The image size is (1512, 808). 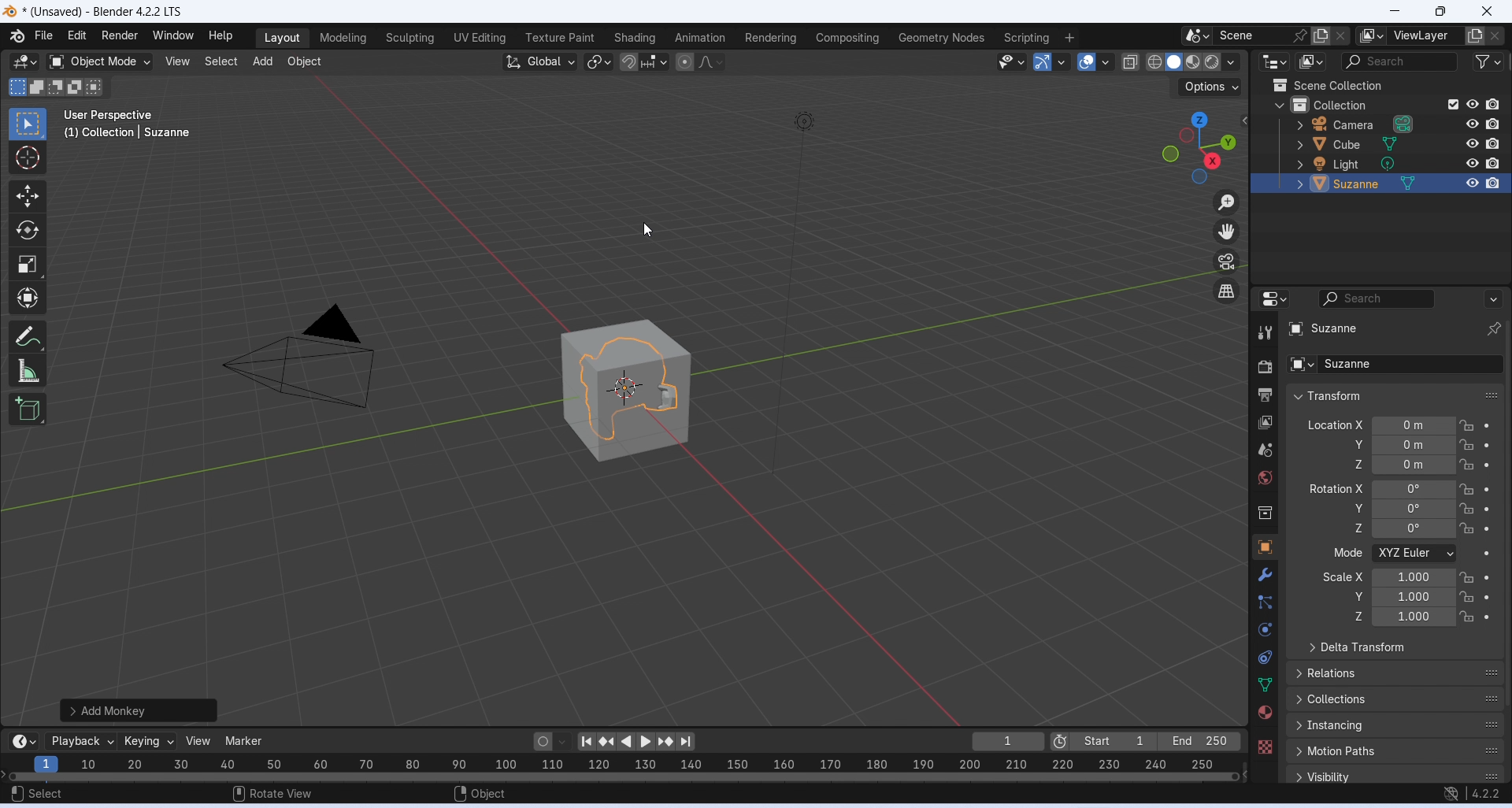 I want to click on Select box, so click(x=25, y=124).